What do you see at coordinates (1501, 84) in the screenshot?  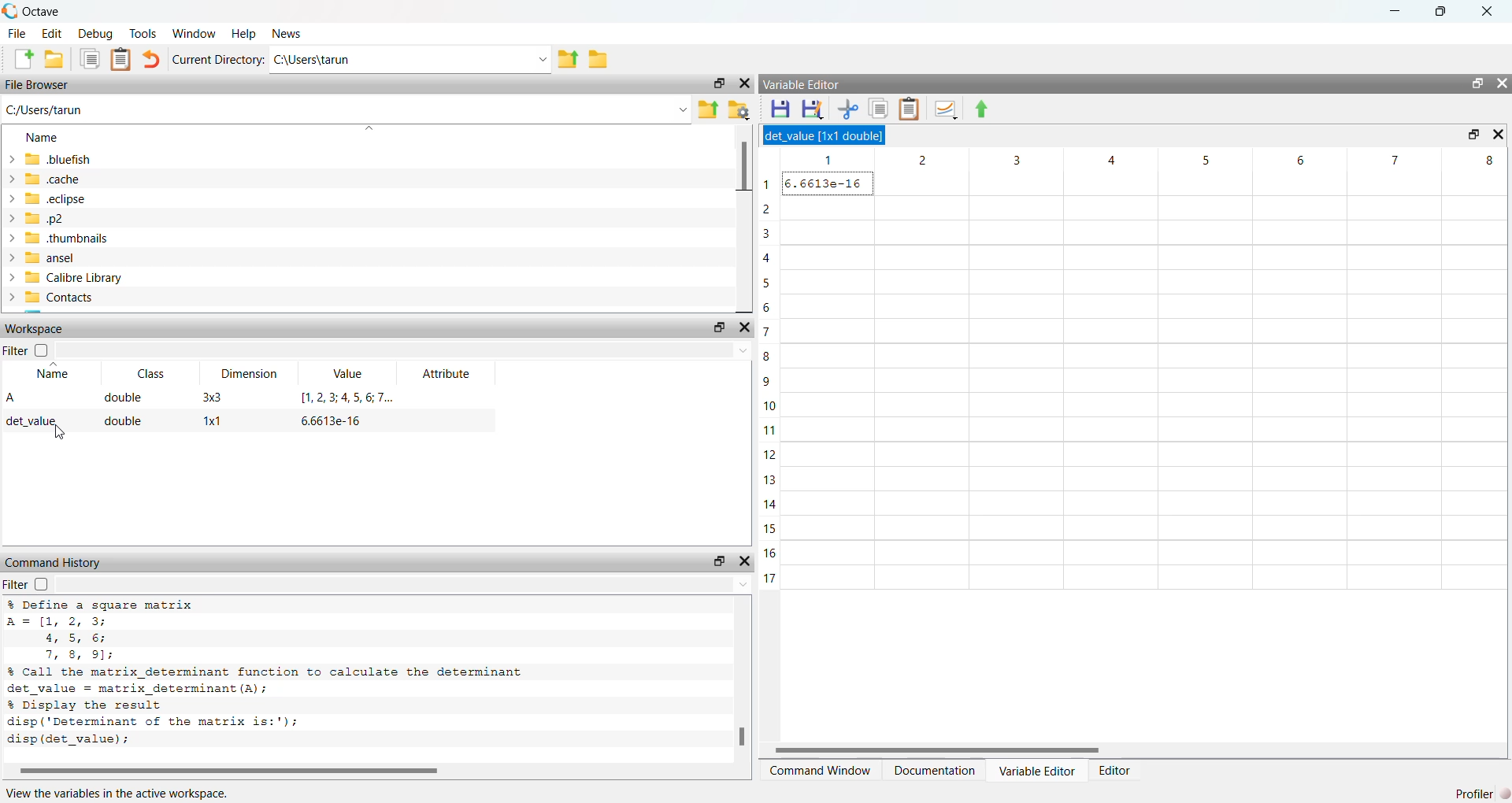 I see `close` at bounding box center [1501, 84].